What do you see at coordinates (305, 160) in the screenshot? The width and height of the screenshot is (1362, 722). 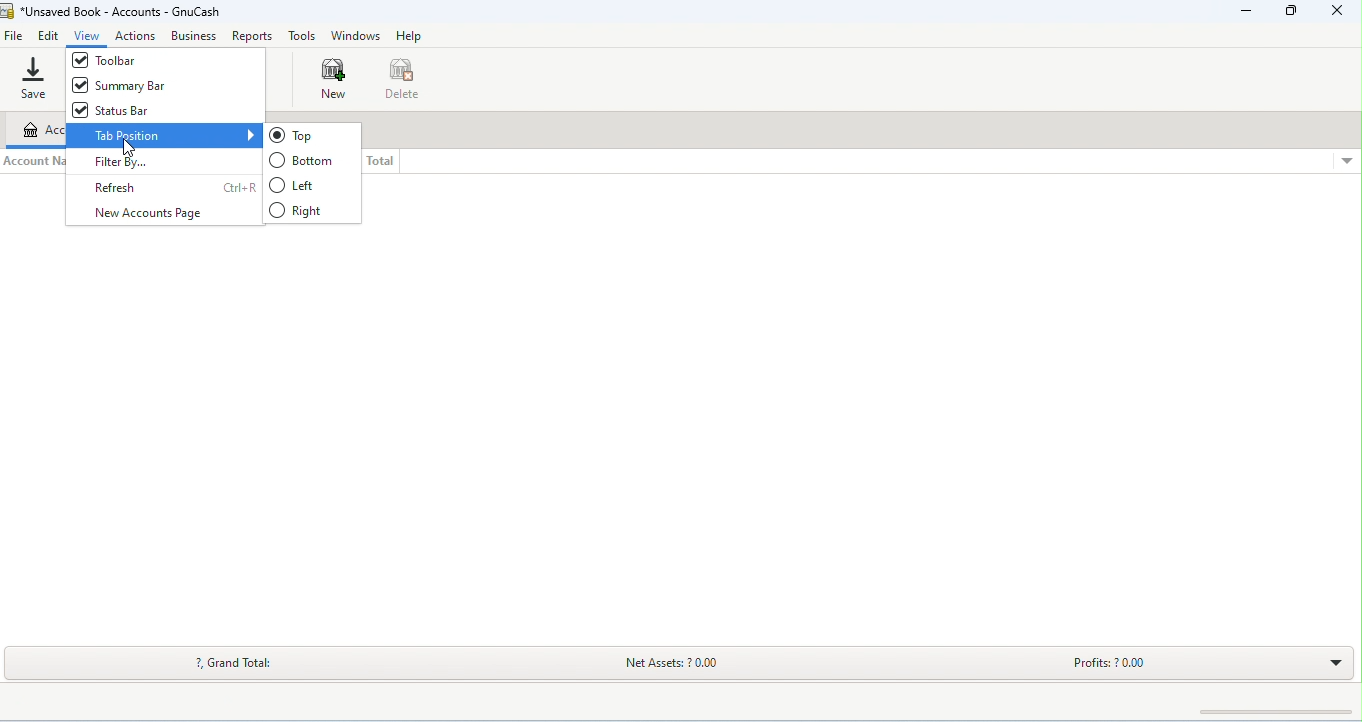 I see `bottom` at bounding box center [305, 160].